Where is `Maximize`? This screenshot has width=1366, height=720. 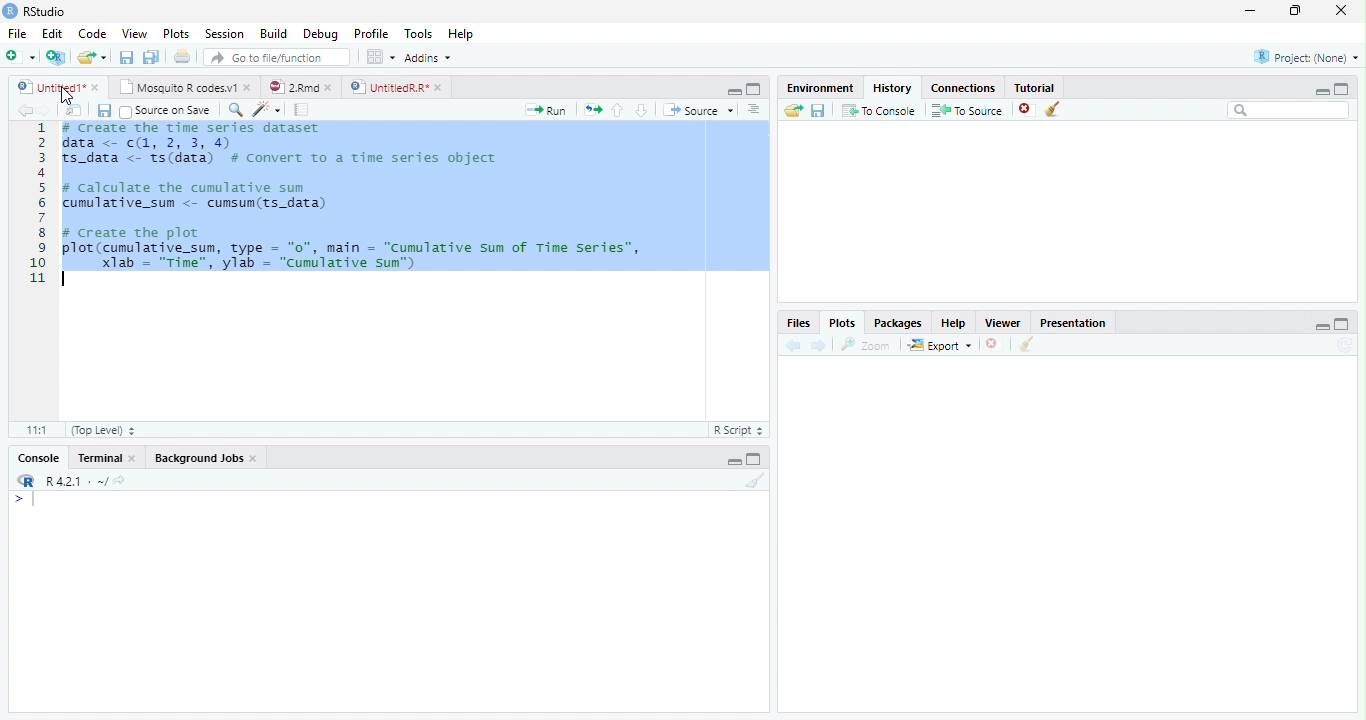
Maximize is located at coordinates (1296, 13).